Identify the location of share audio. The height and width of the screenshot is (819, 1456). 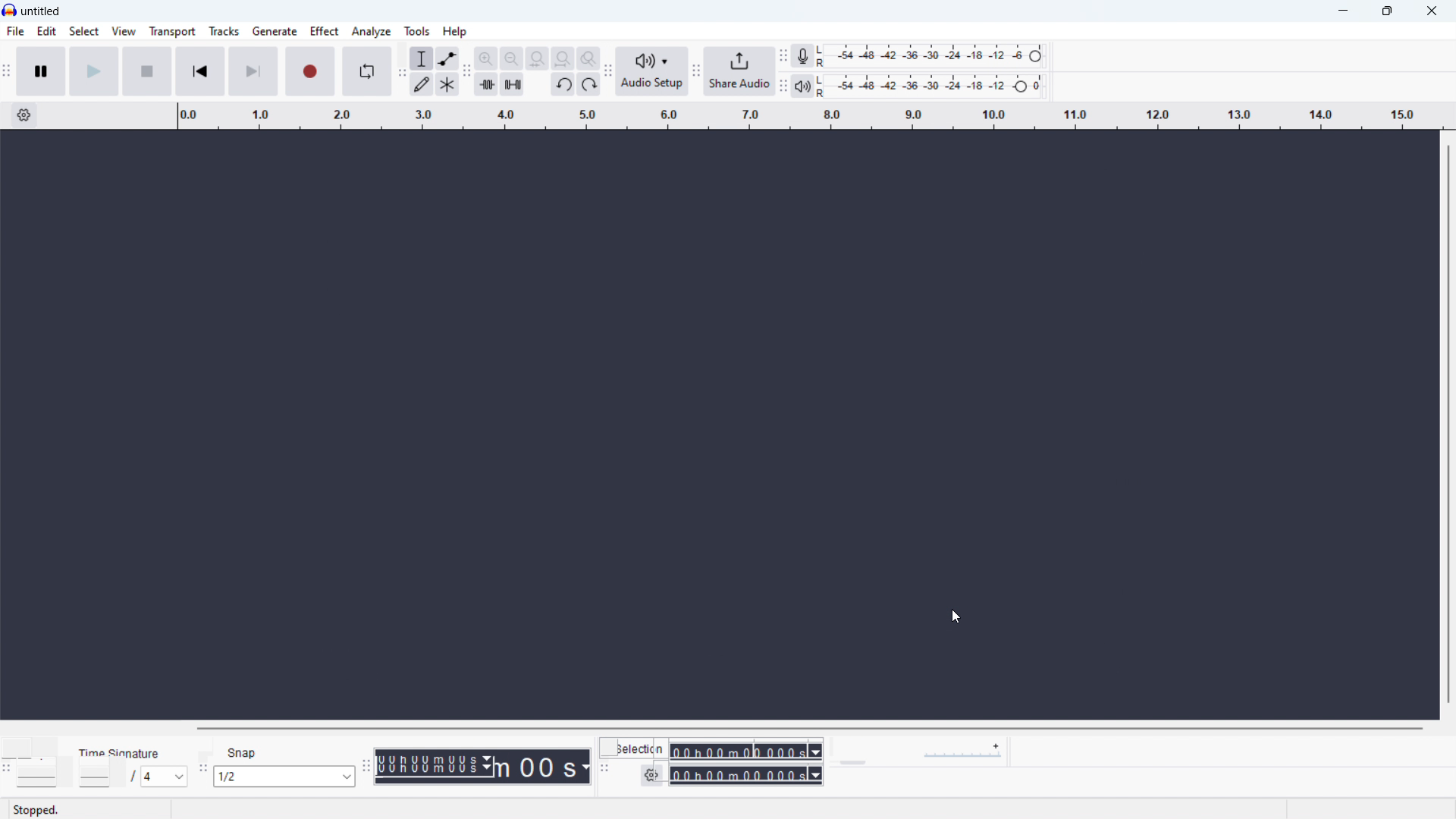
(739, 71).